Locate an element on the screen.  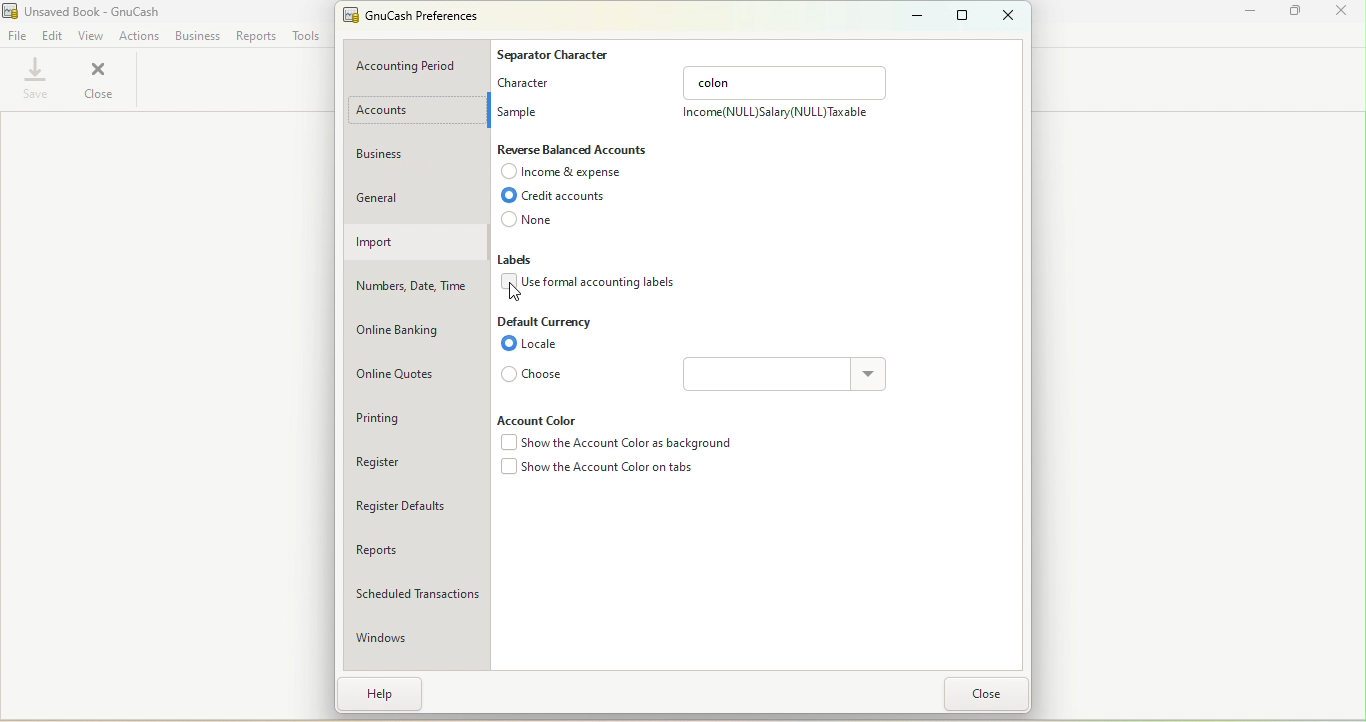
Numbers is located at coordinates (416, 285).